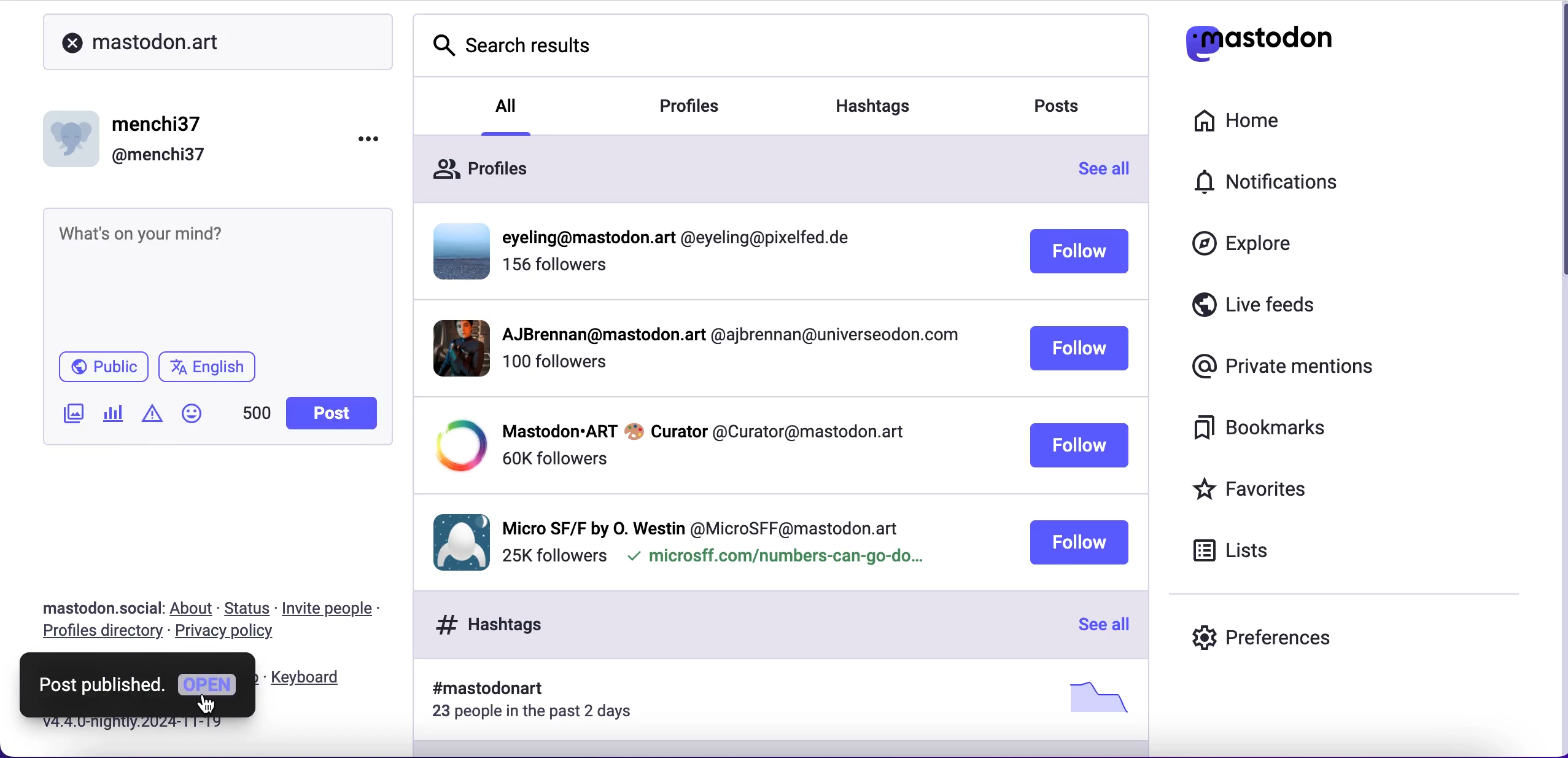 The width and height of the screenshot is (1568, 758). Describe the element at coordinates (708, 107) in the screenshot. I see `profiles` at that location.